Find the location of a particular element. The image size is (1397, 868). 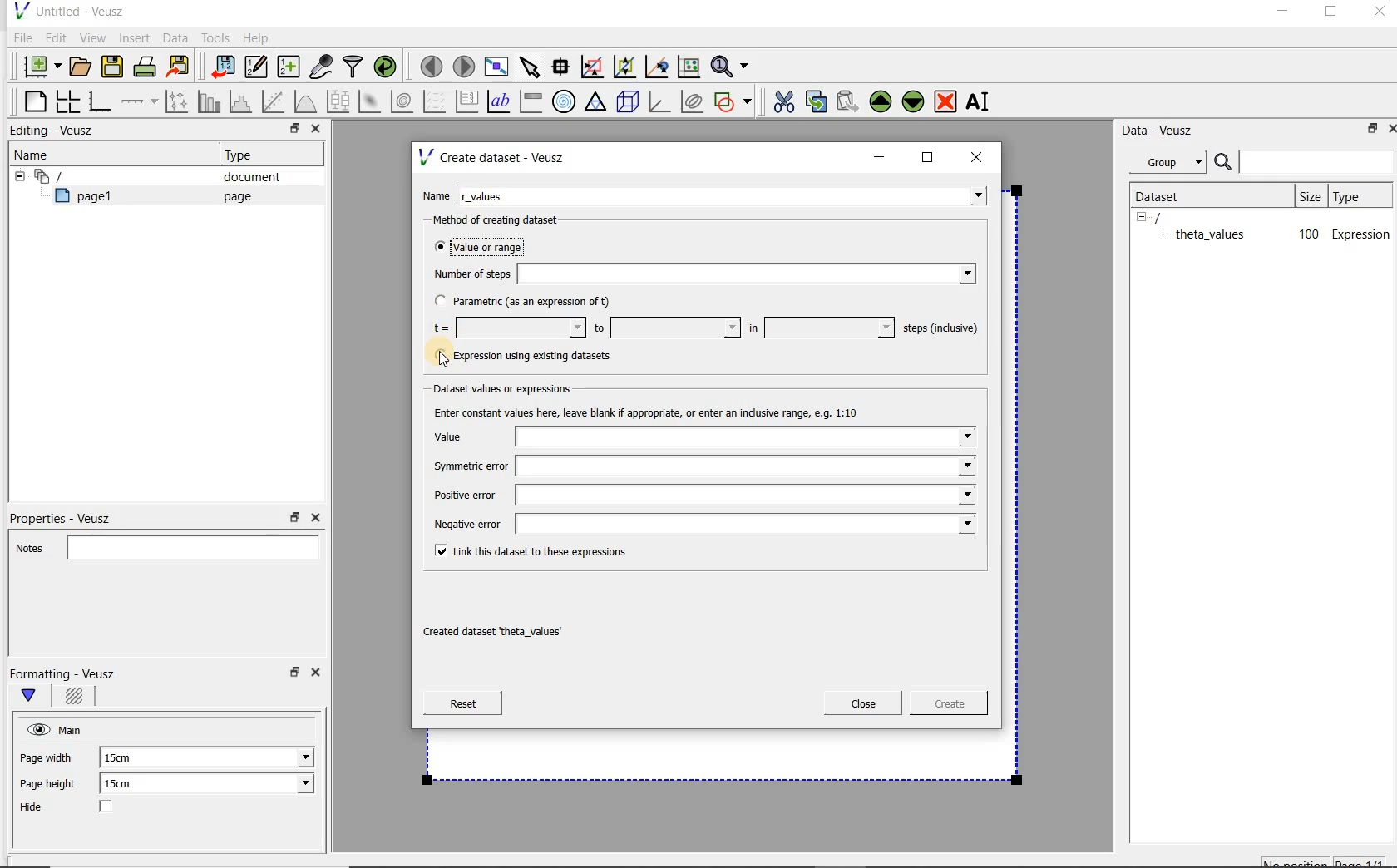

click to recenter graph axes is located at coordinates (658, 67).